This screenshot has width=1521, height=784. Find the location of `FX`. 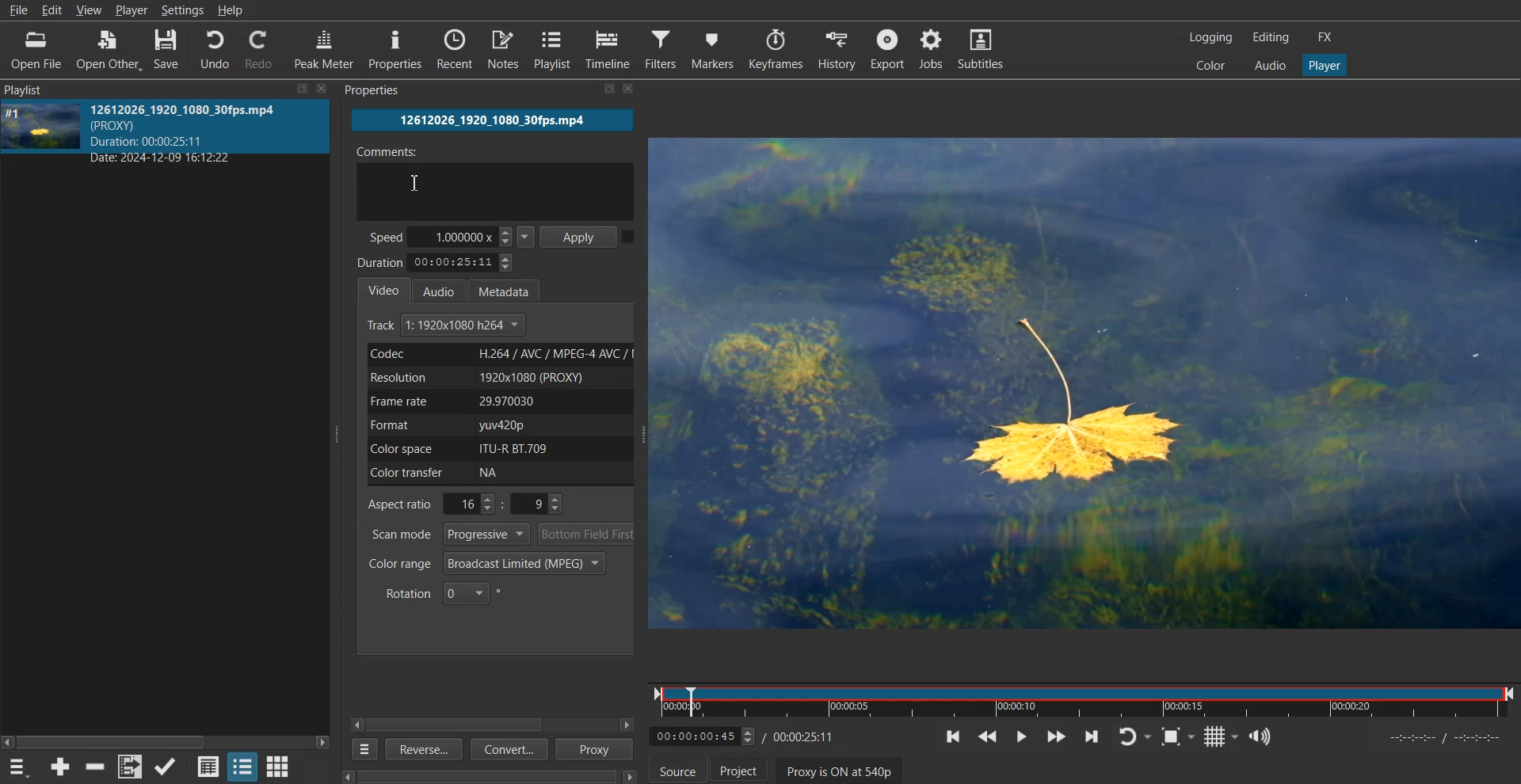

FX is located at coordinates (1327, 38).